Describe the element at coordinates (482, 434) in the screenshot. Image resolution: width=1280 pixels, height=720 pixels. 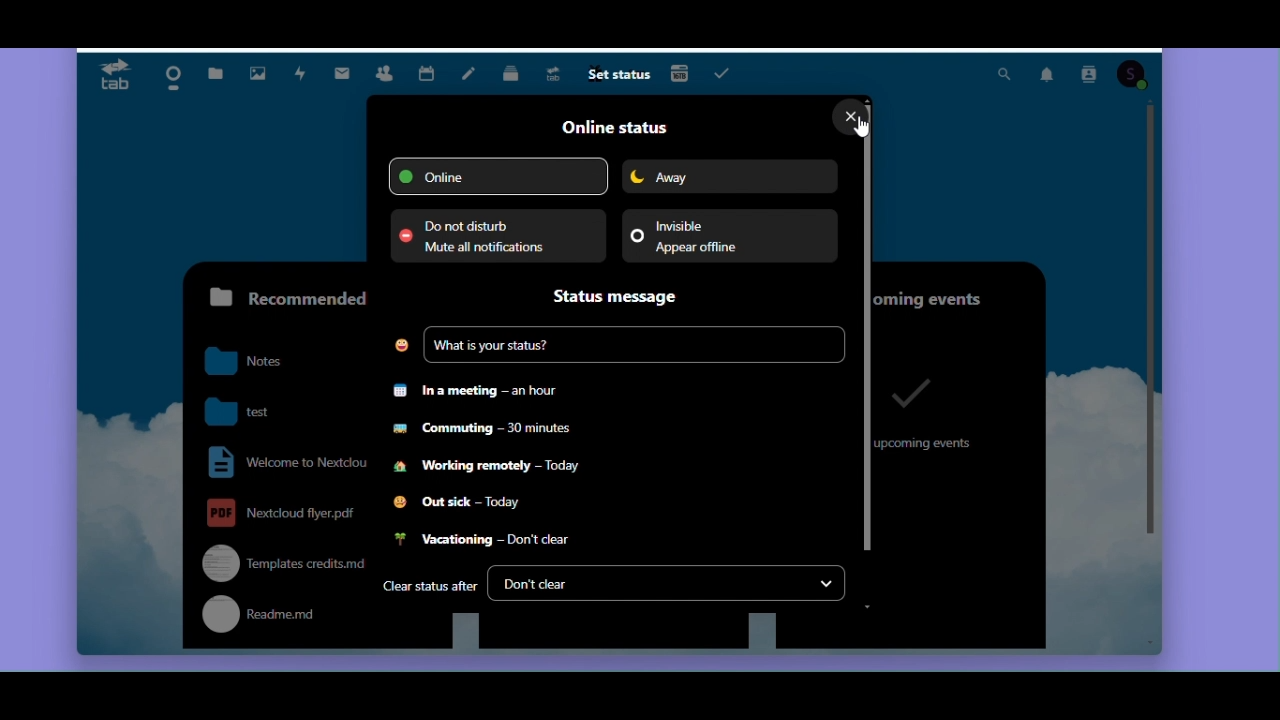
I see `Commuting 30 minutes` at that location.